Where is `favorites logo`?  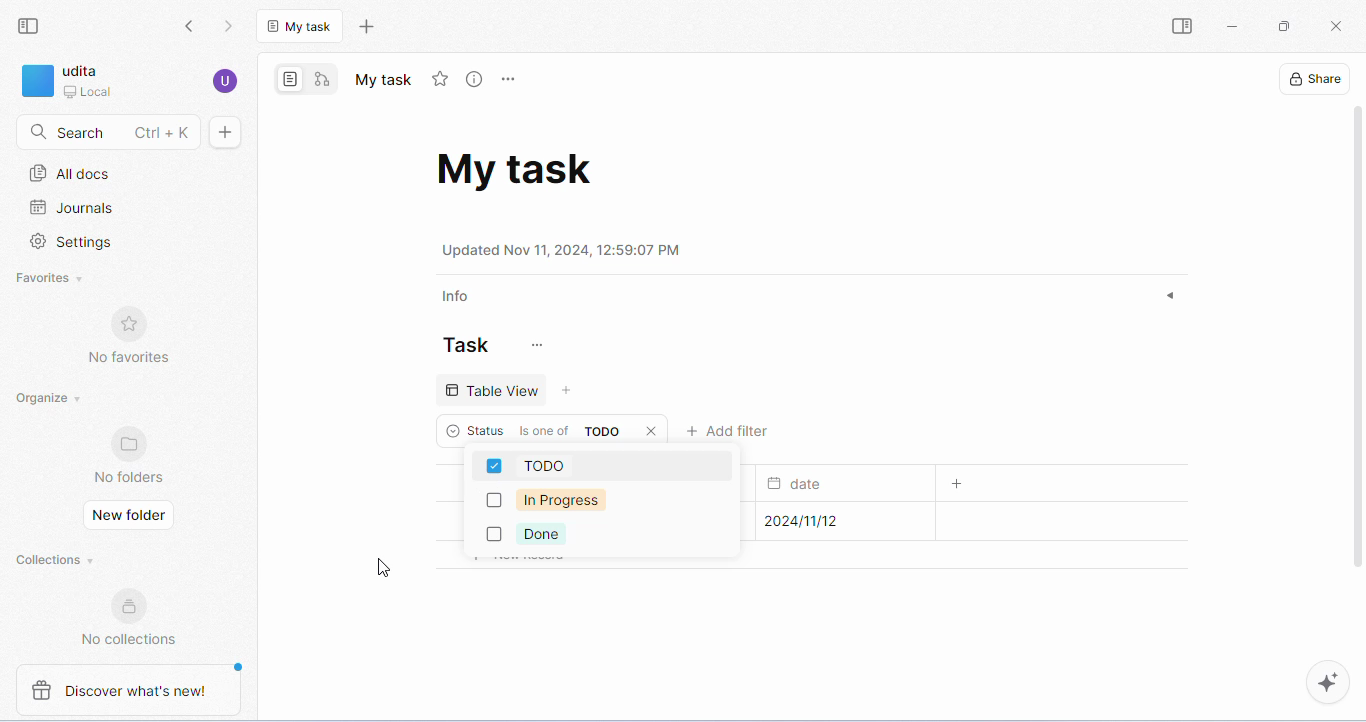 favorites logo is located at coordinates (133, 322).